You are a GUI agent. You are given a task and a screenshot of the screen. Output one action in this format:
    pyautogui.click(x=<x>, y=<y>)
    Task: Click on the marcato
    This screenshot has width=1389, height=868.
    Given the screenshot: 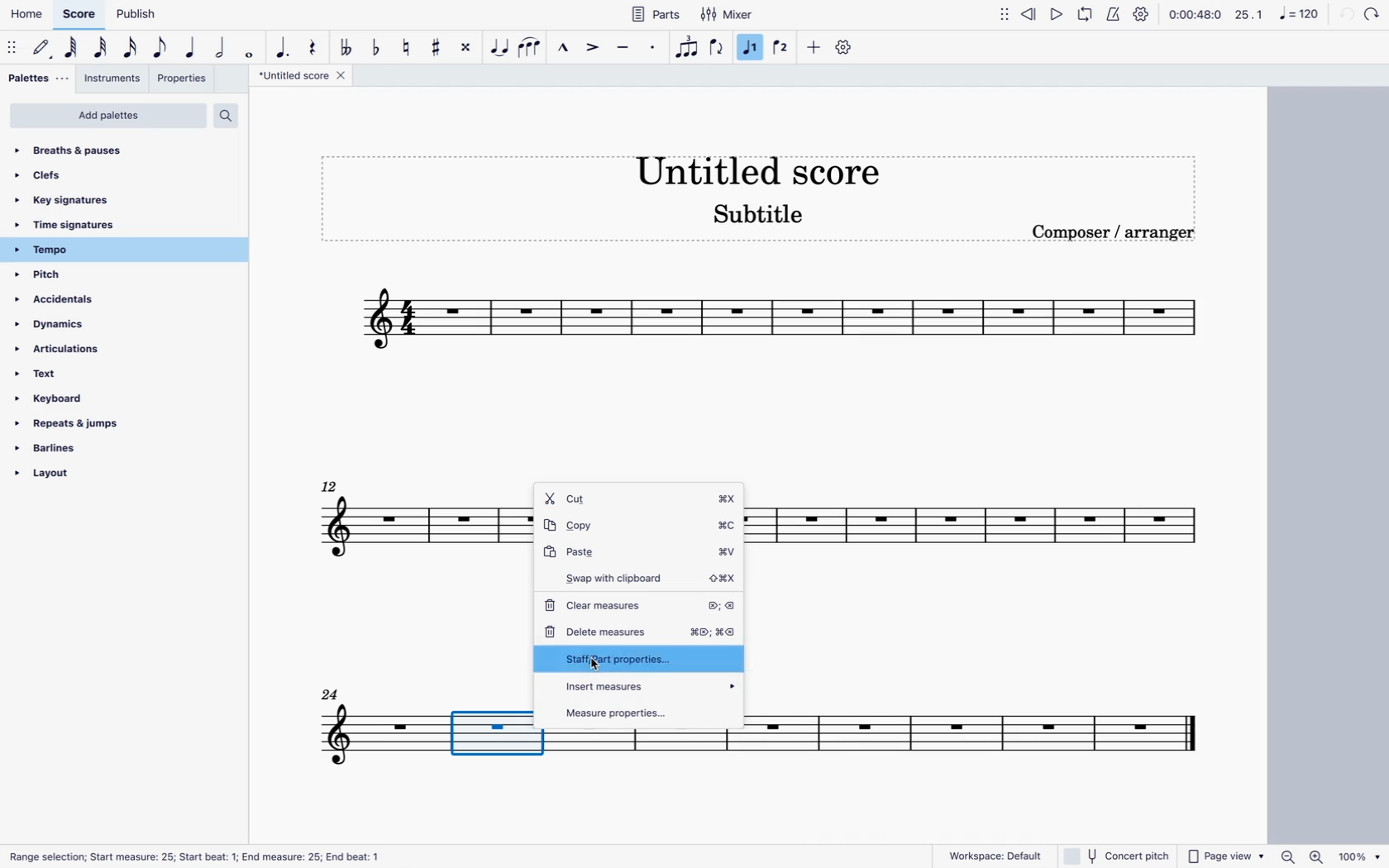 What is the action you would take?
    pyautogui.click(x=565, y=48)
    